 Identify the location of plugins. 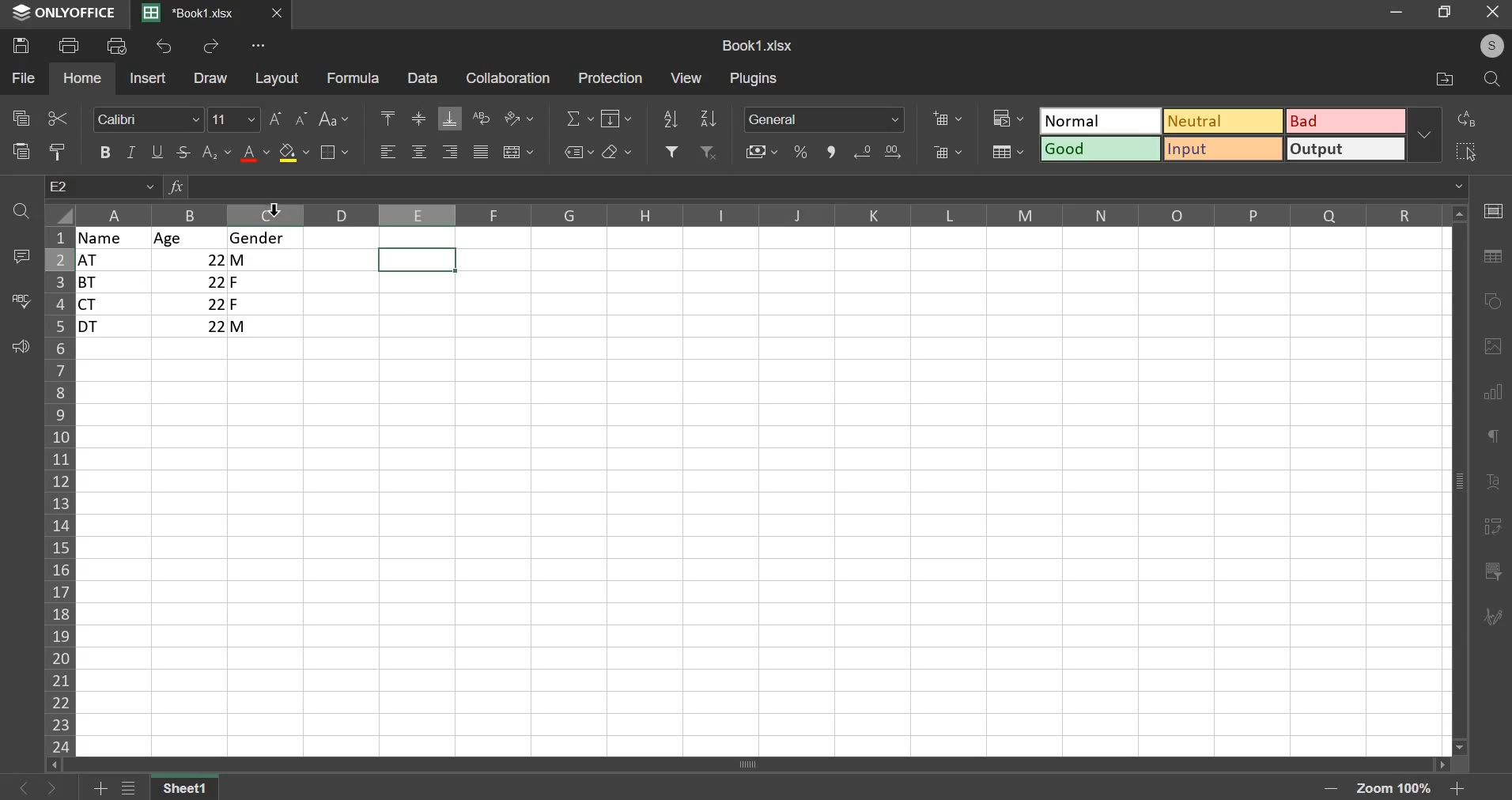
(754, 79).